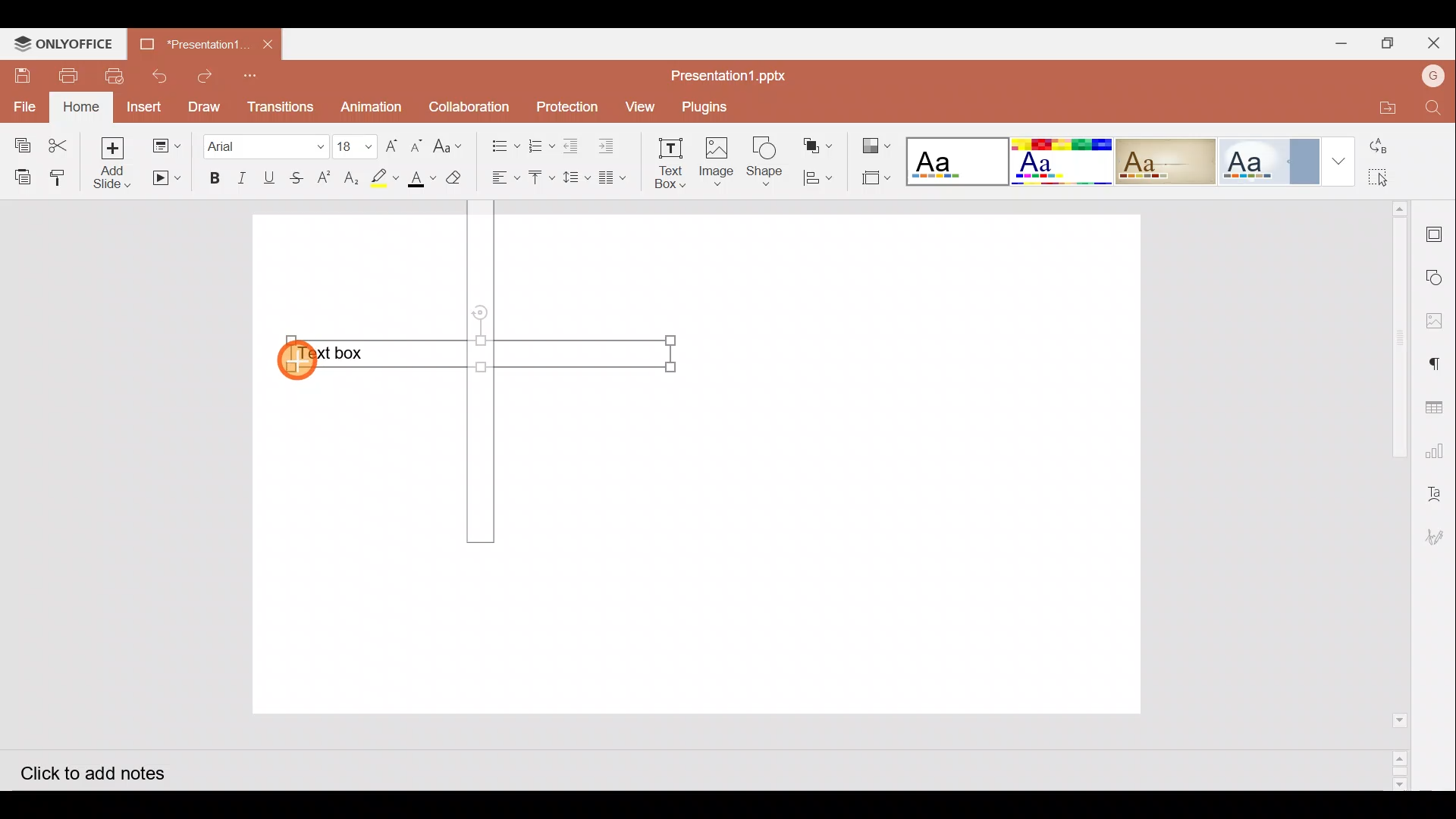 The width and height of the screenshot is (1456, 819). What do you see at coordinates (20, 175) in the screenshot?
I see `Paste` at bounding box center [20, 175].